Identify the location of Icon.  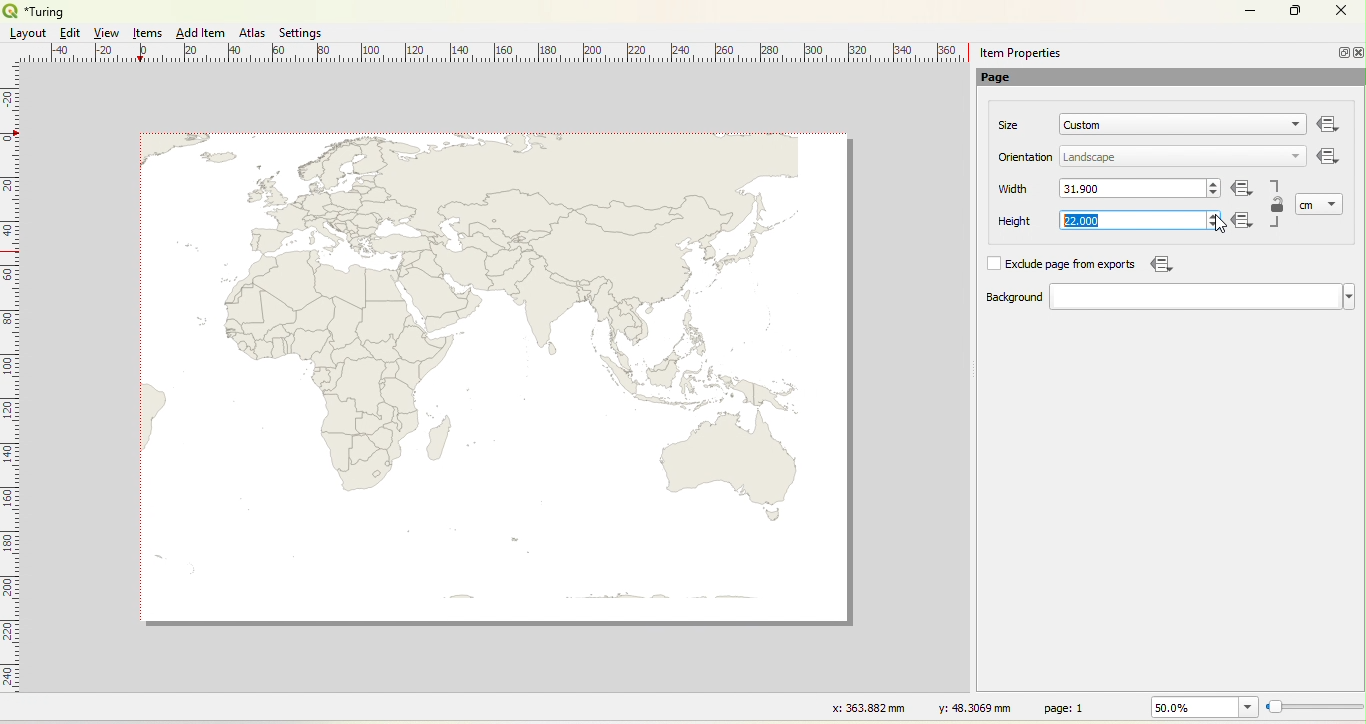
(1159, 264).